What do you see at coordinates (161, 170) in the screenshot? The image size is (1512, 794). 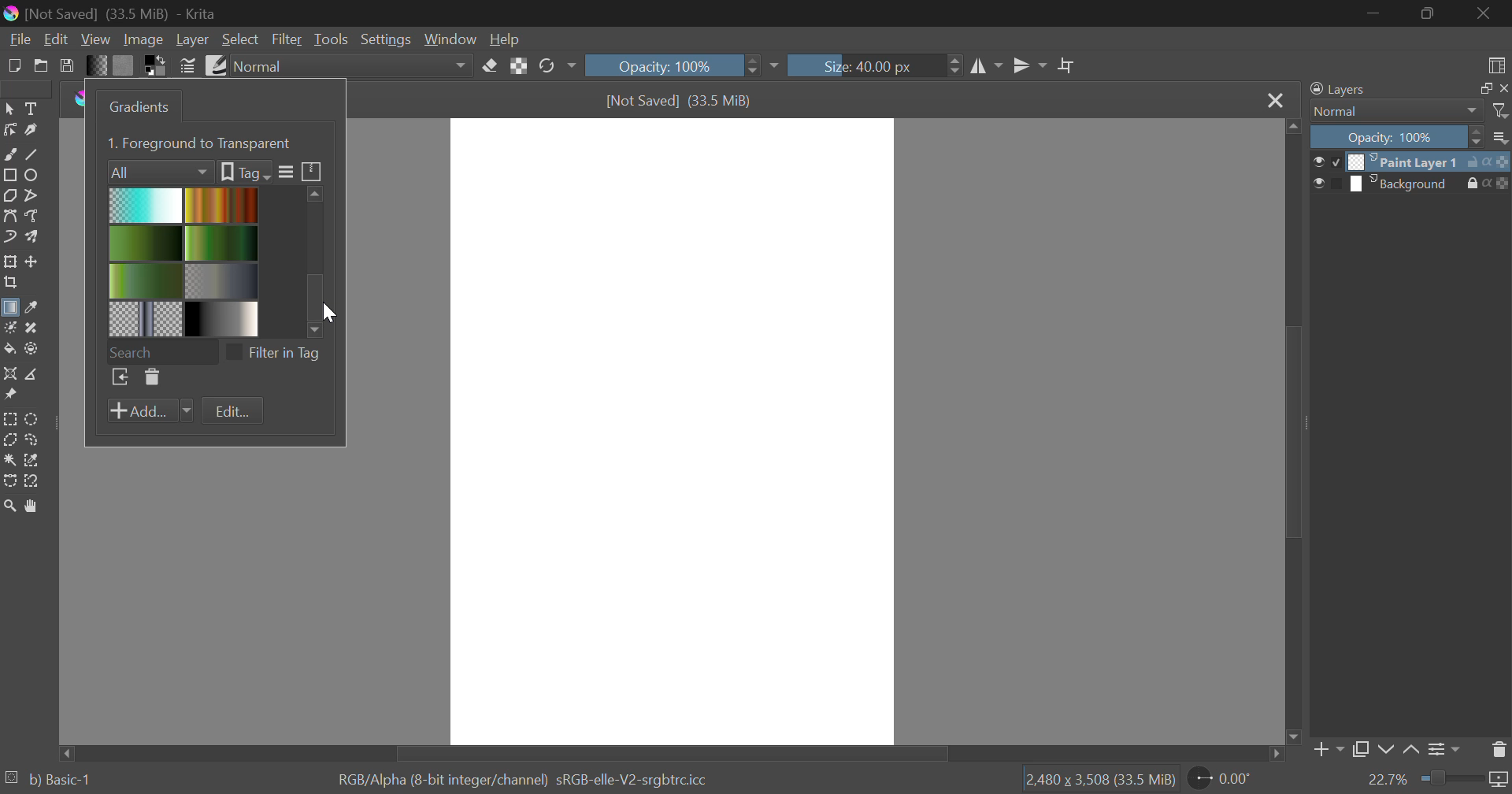 I see `All` at bounding box center [161, 170].